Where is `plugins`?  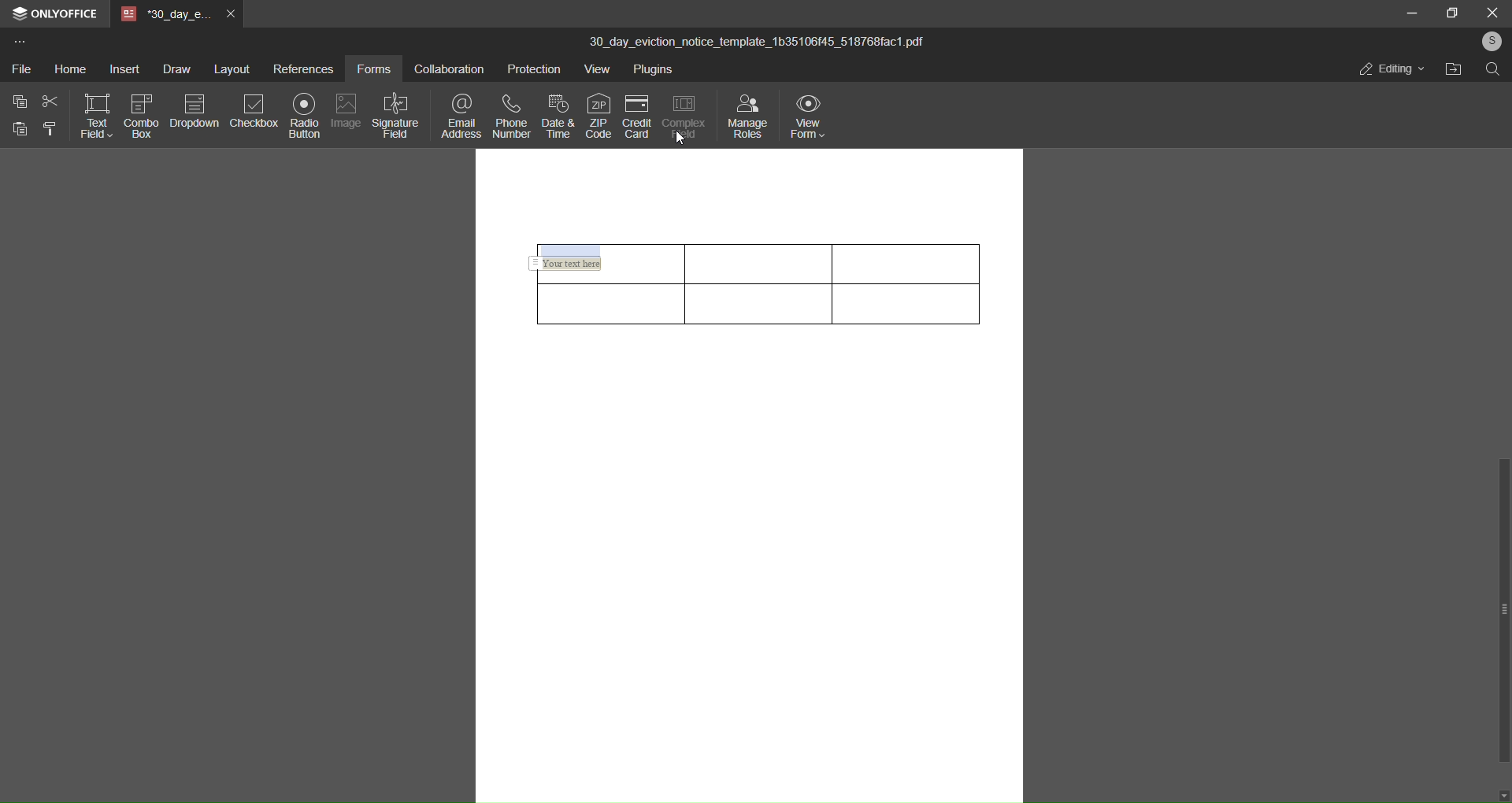 plugins is located at coordinates (656, 70).